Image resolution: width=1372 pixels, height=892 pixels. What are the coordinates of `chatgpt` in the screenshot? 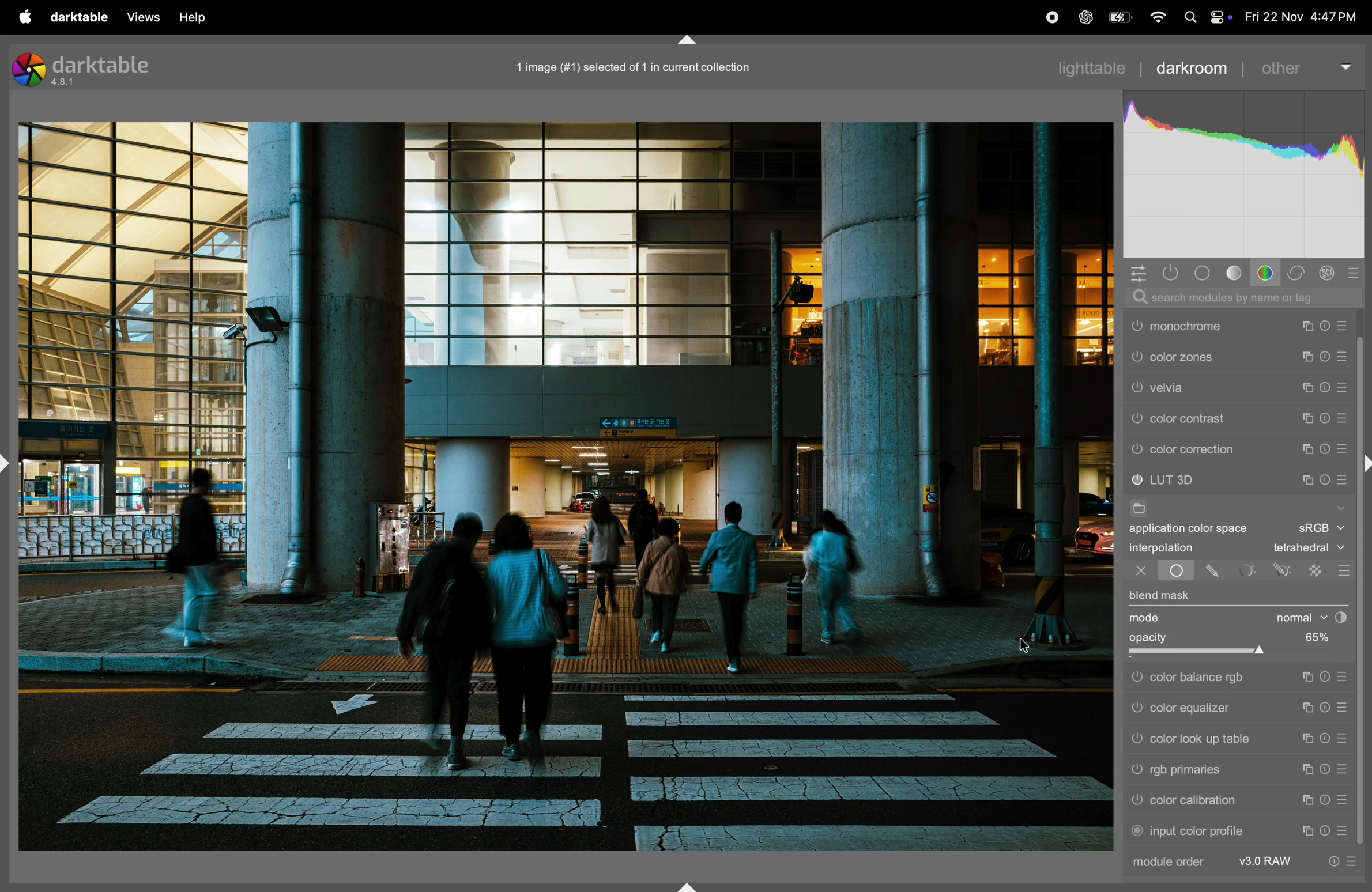 It's located at (1081, 16).